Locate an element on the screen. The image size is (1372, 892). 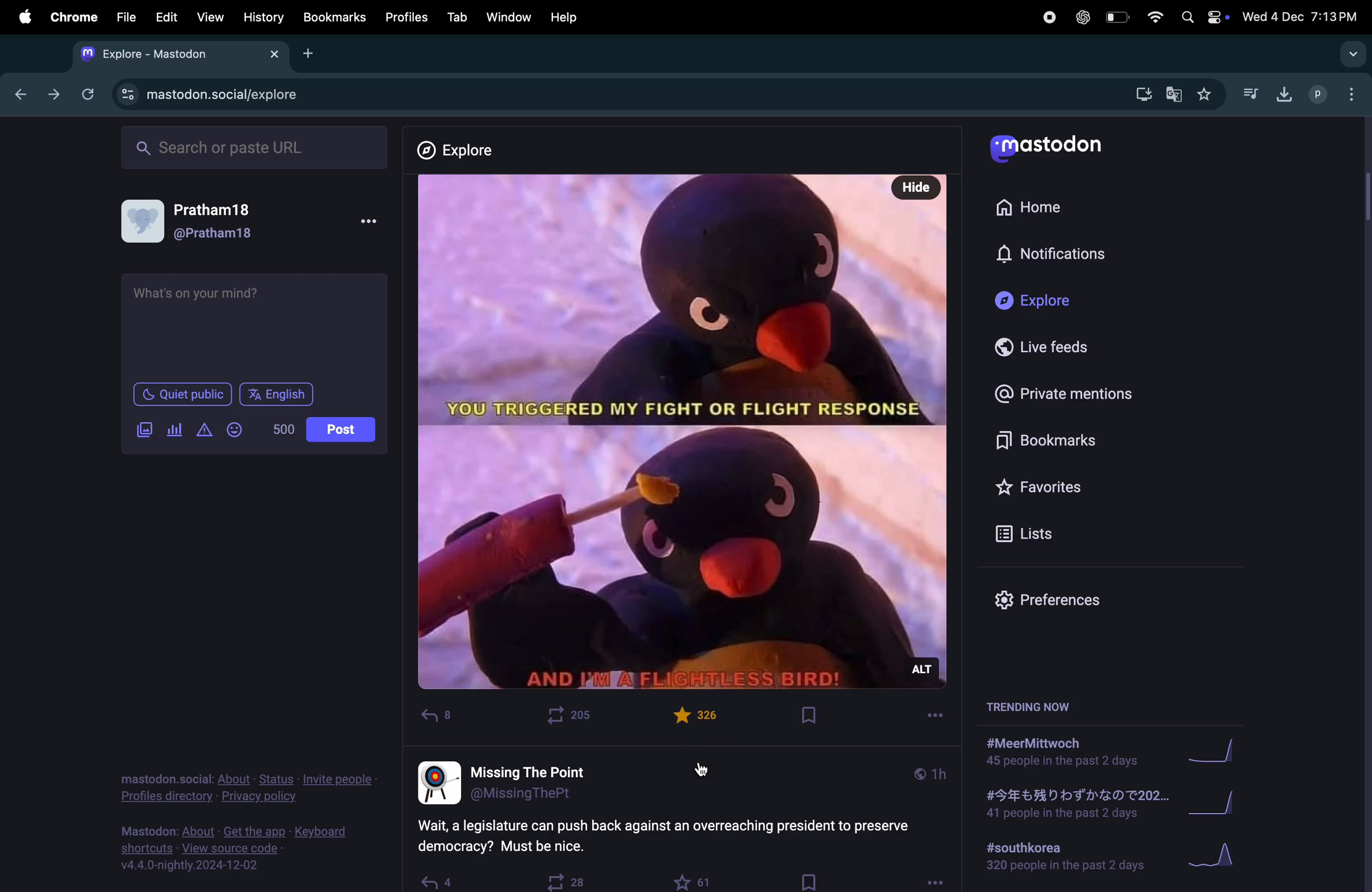
Post is located at coordinates (342, 429).